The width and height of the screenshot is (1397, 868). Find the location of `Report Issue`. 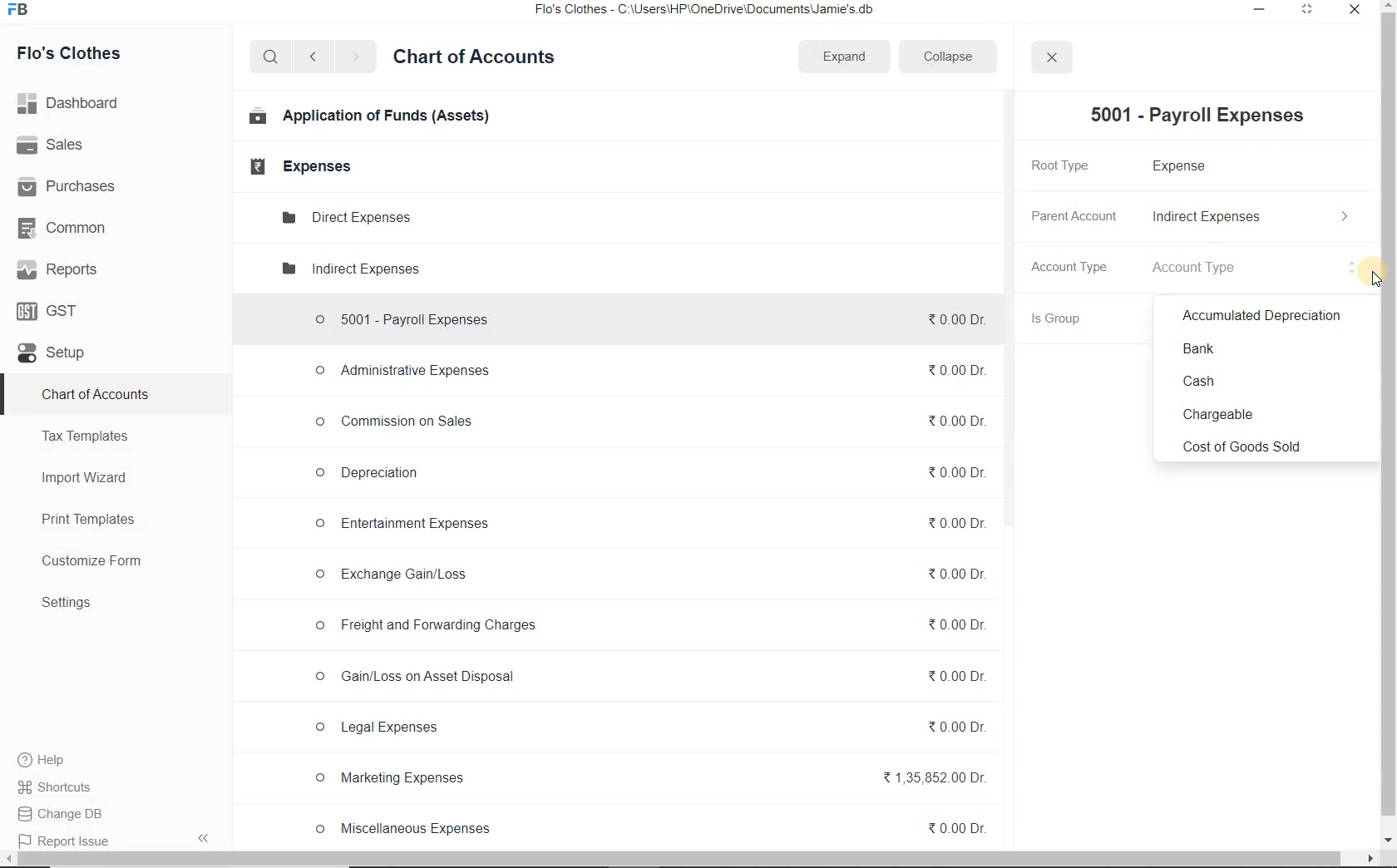

Report Issue is located at coordinates (60, 839).